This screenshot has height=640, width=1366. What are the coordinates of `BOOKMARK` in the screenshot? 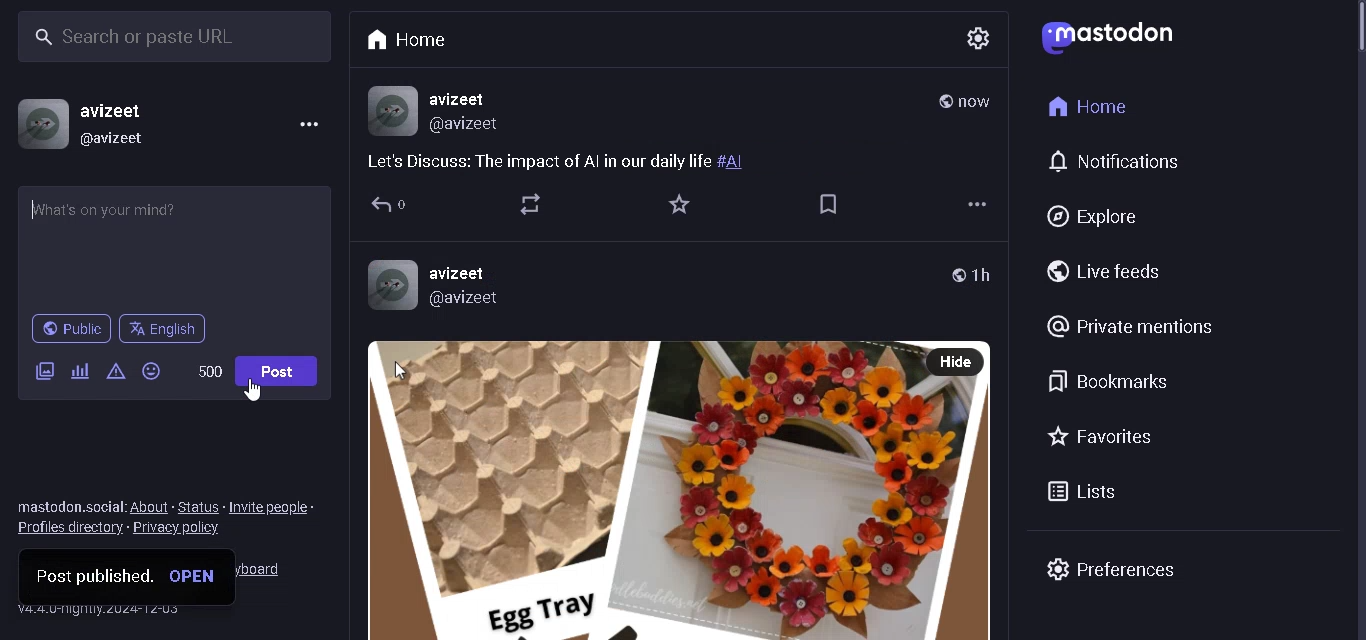 It's located at (829, 203).